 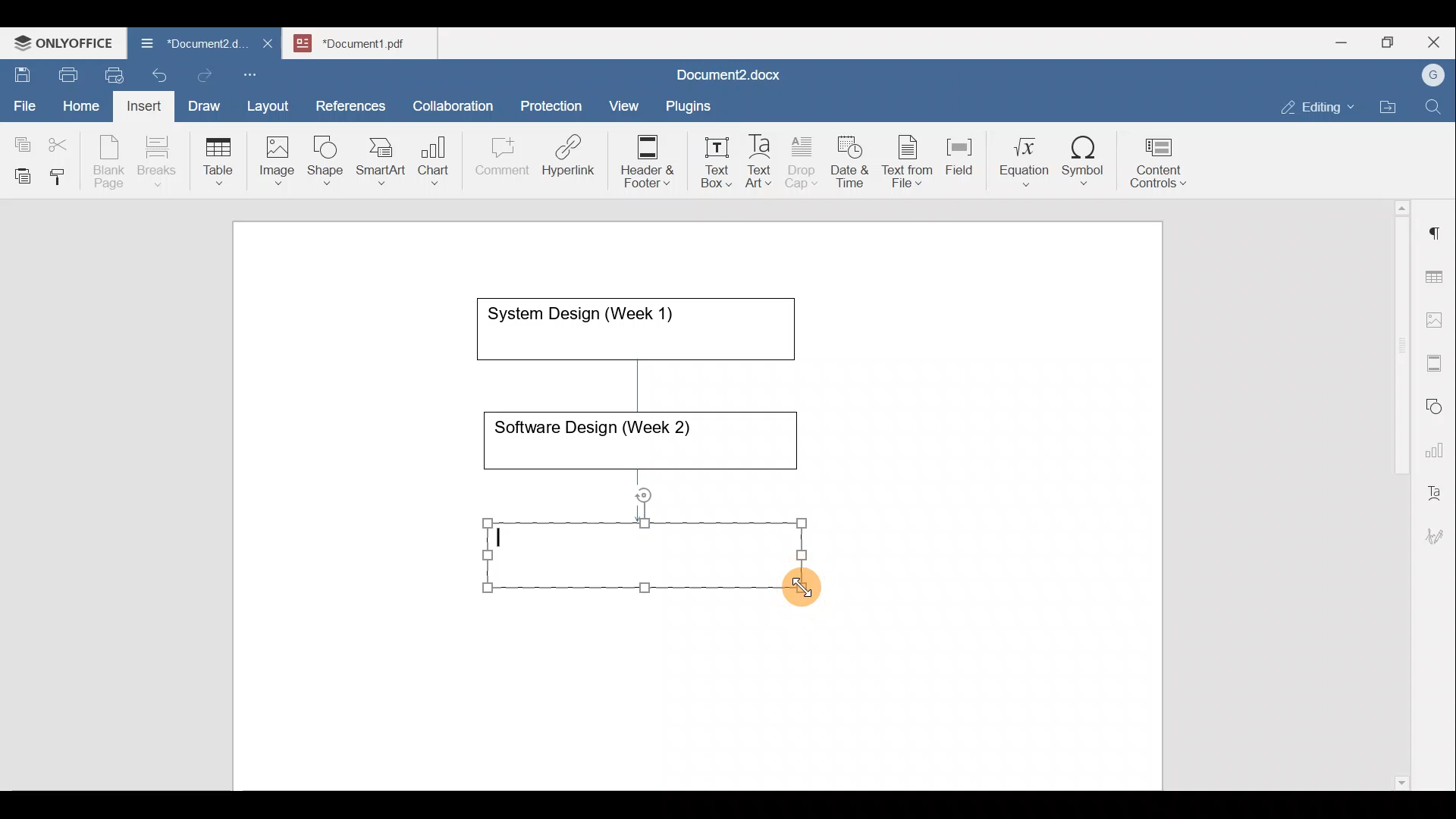 I want to click on Table, so click(x=219, y=158).